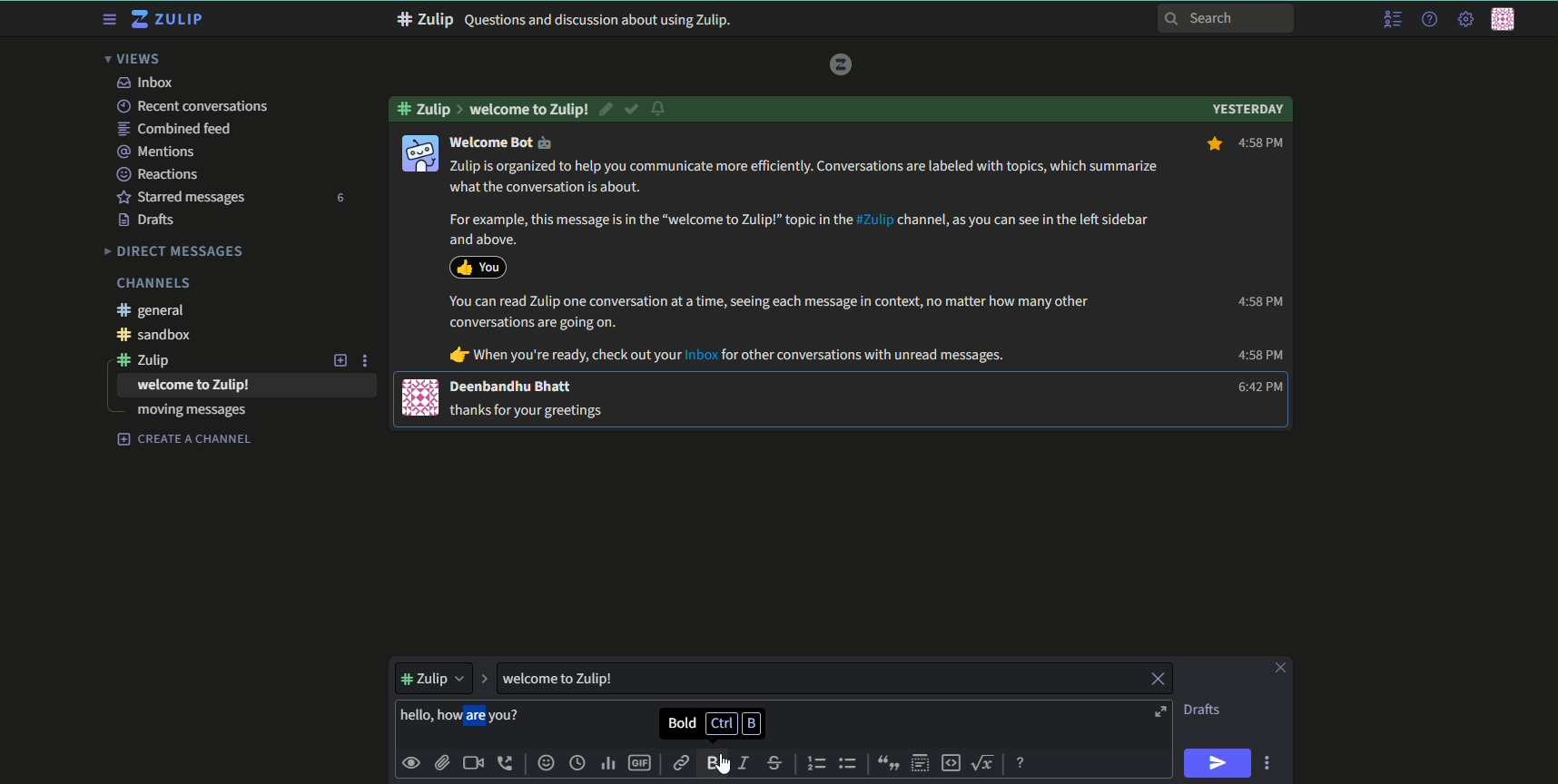  Describe the element at coordinates (368, 359) in the screenshot. I see `options` at that location.